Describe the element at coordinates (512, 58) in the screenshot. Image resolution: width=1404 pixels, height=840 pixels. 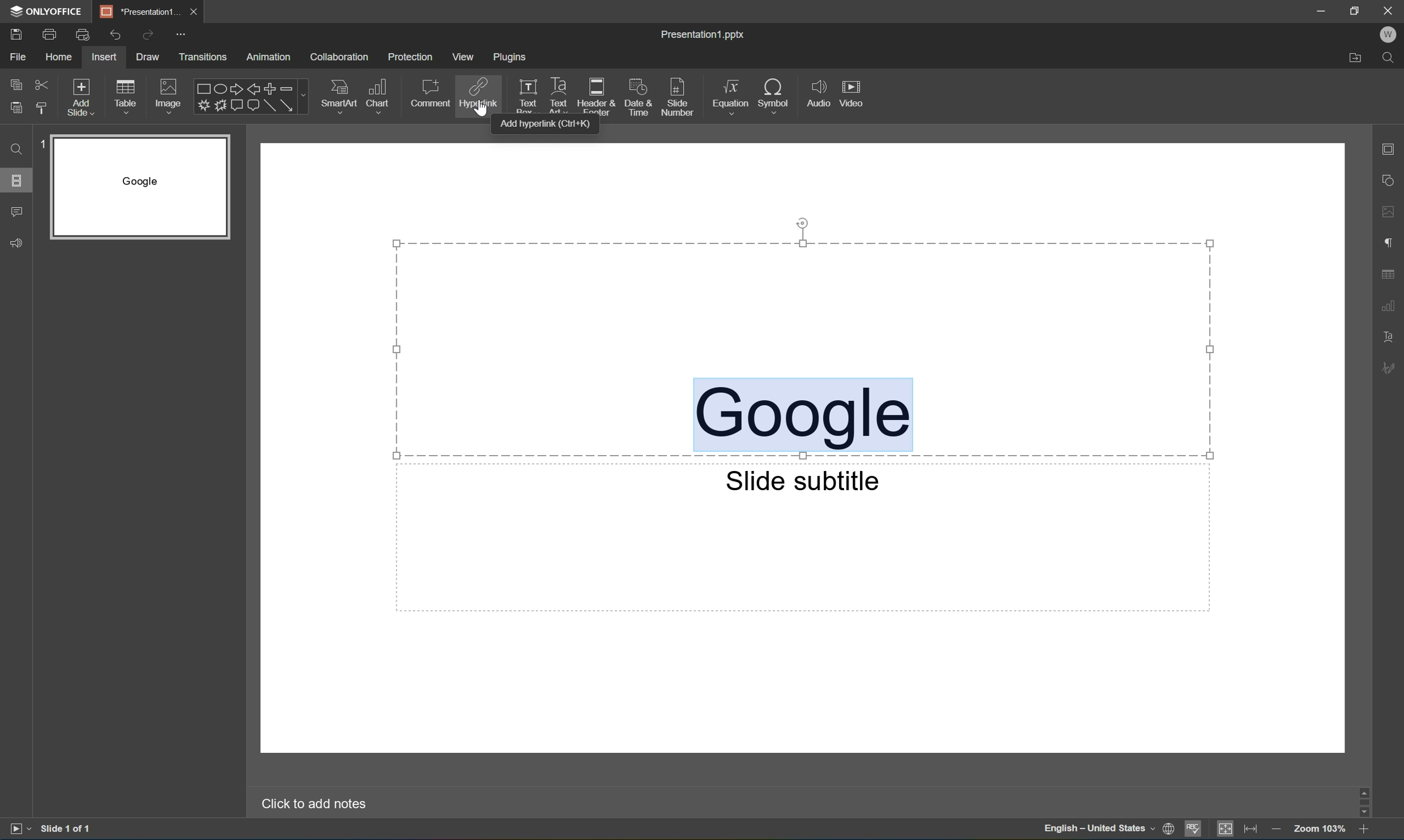
I see `Plugins` at that location.